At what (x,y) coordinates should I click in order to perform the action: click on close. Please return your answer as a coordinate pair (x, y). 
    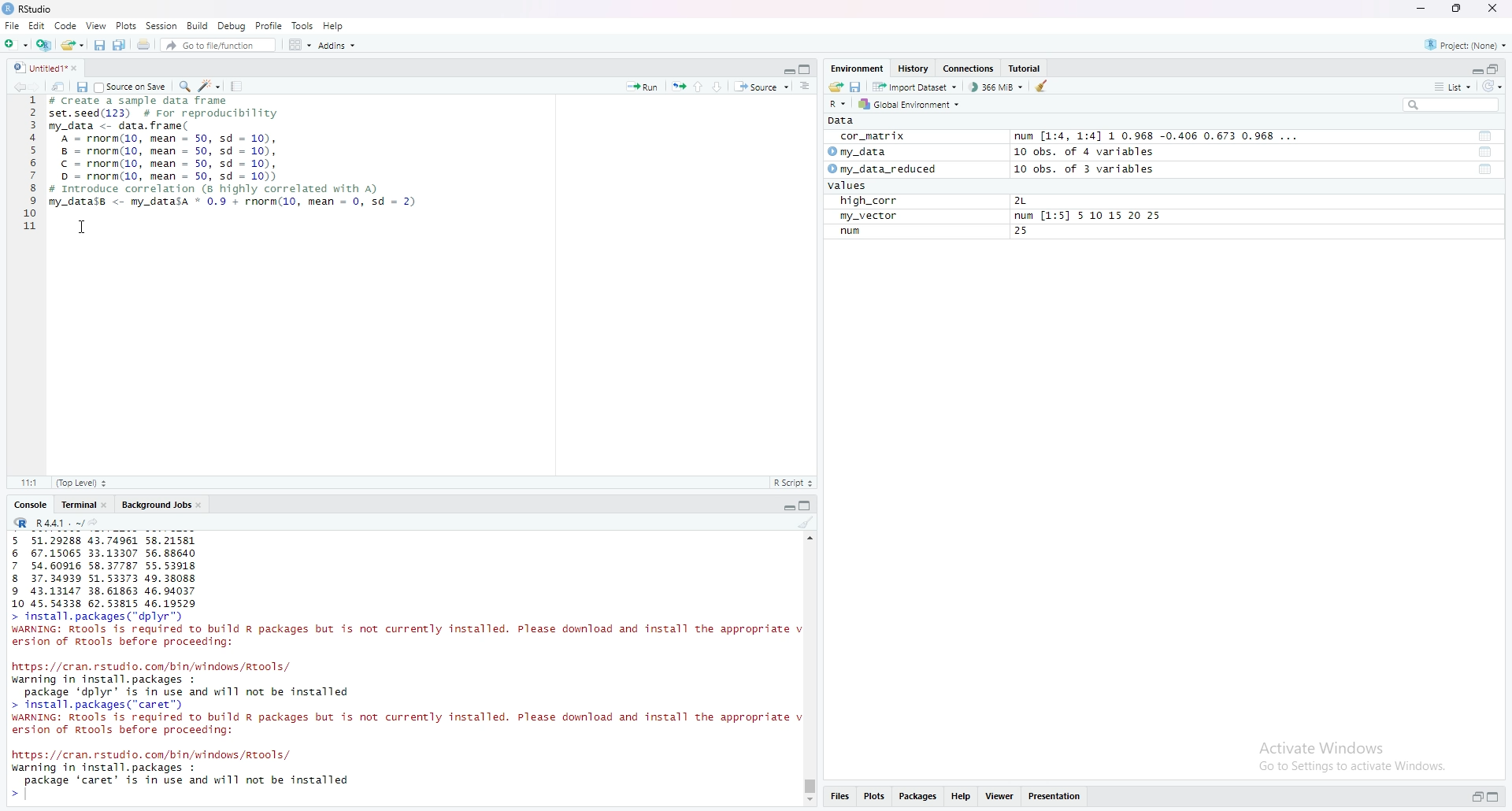
    Looking at the image, I should click on (1493, 8).